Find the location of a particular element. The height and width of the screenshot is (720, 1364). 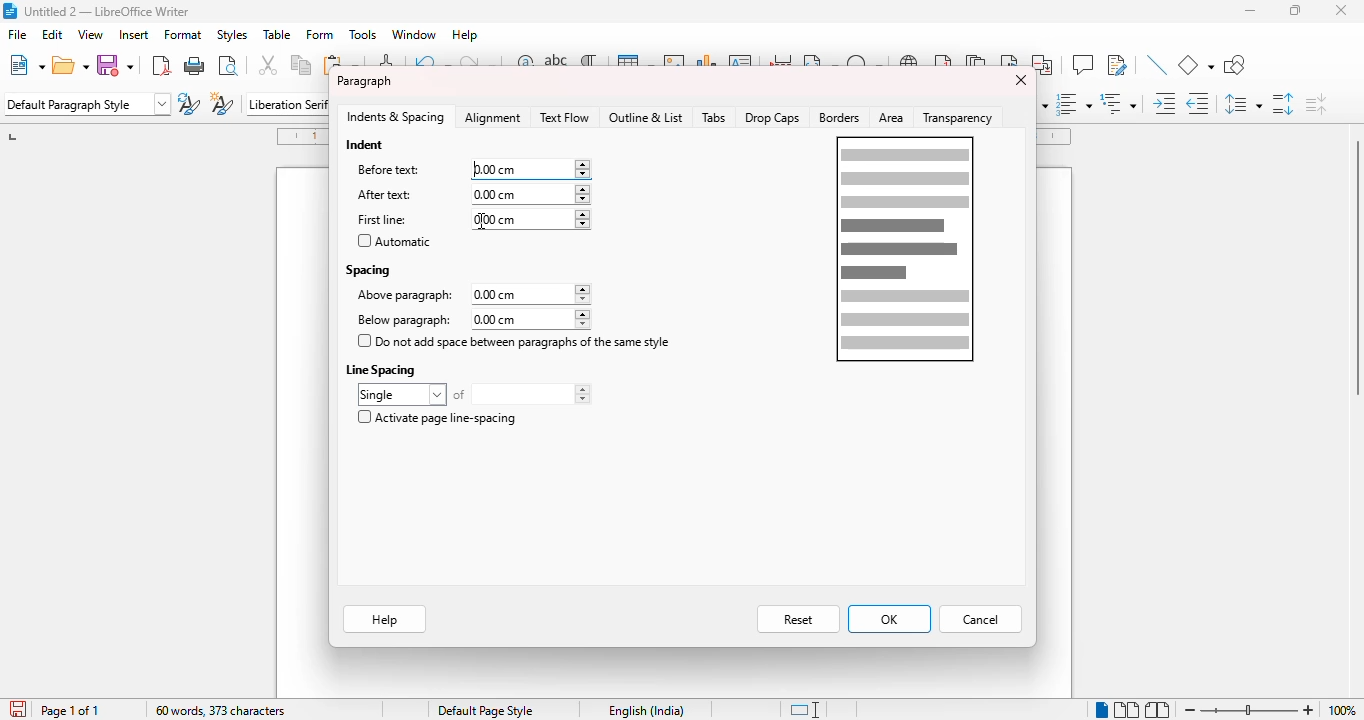

increase indent is located at coordinates (1165, 103).